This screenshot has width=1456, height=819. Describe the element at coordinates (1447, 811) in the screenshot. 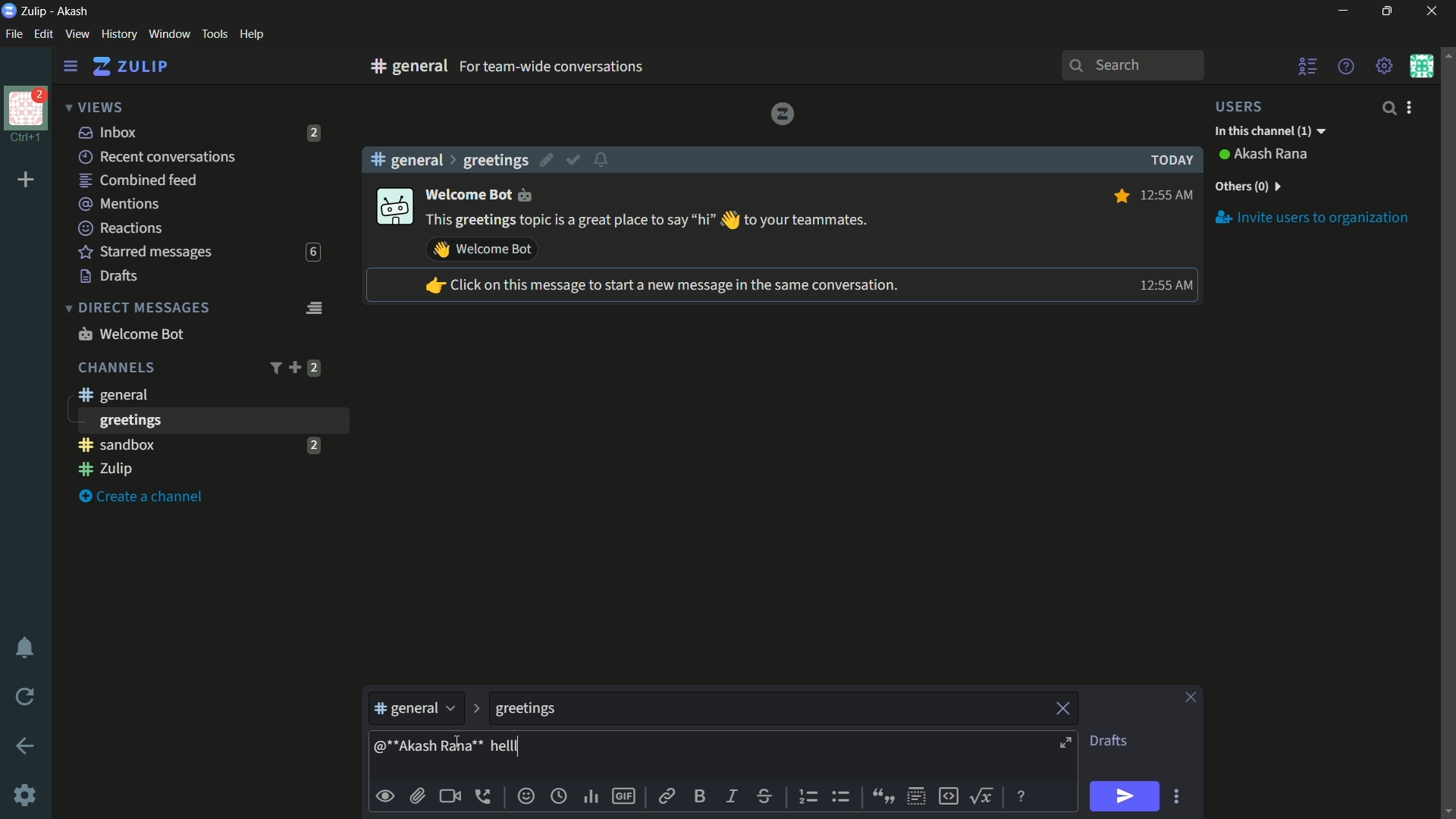

I see `scroll down` at that location.